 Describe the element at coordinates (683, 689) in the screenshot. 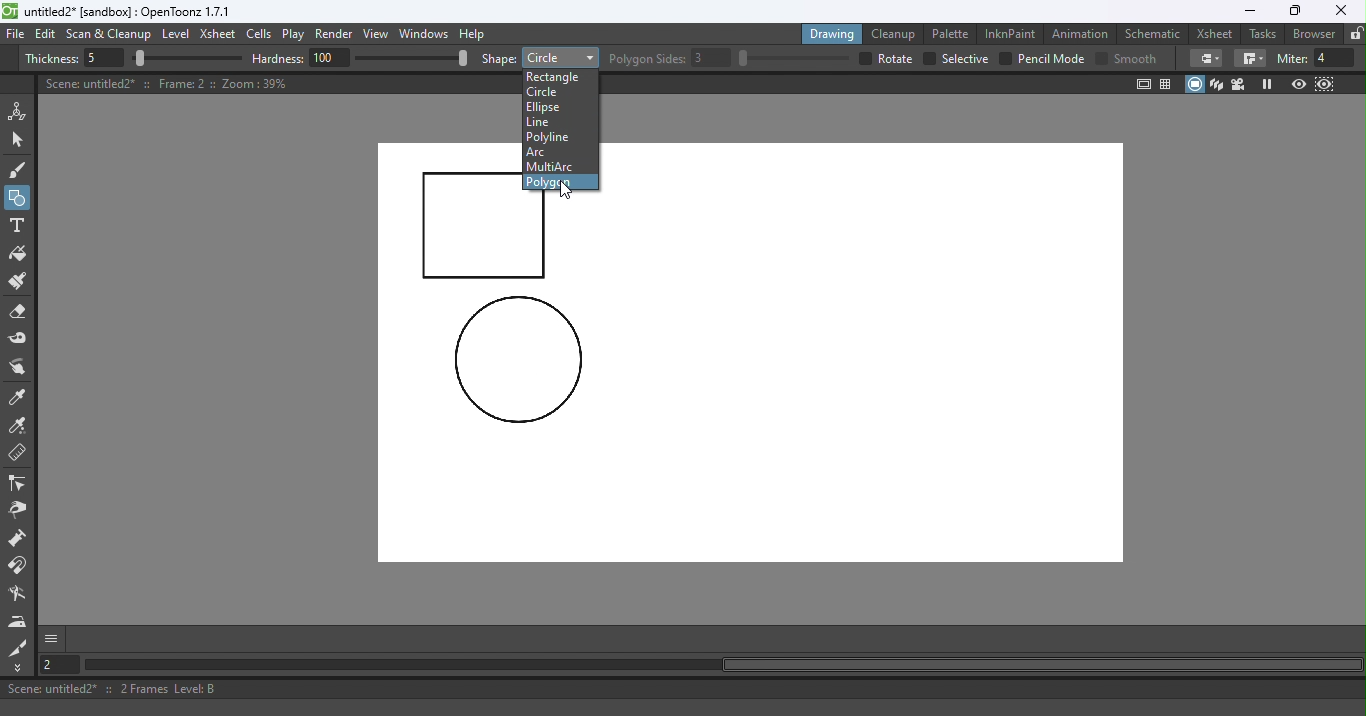

I see `Status bar` at that location.